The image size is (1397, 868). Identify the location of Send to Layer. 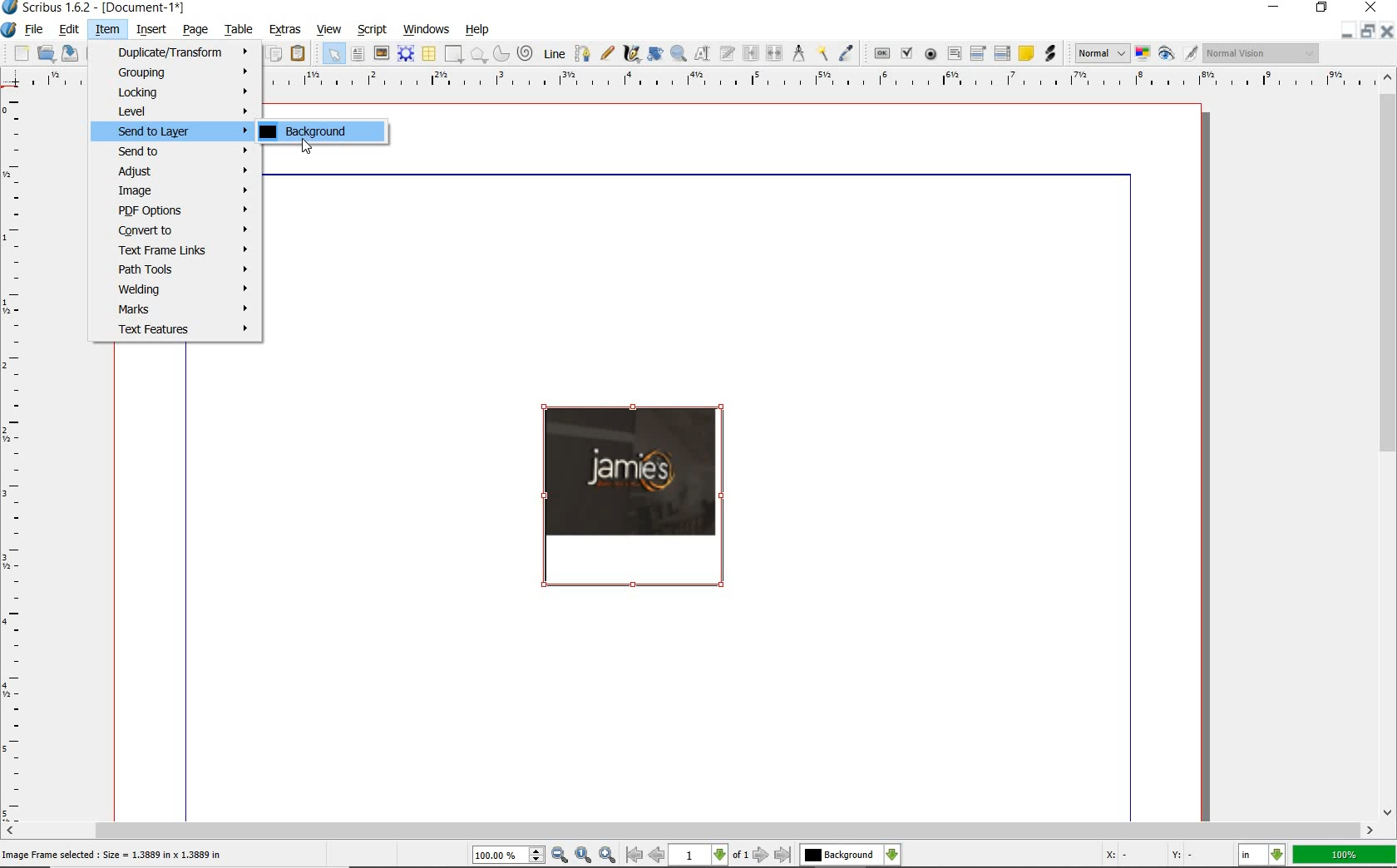
(172, 131).